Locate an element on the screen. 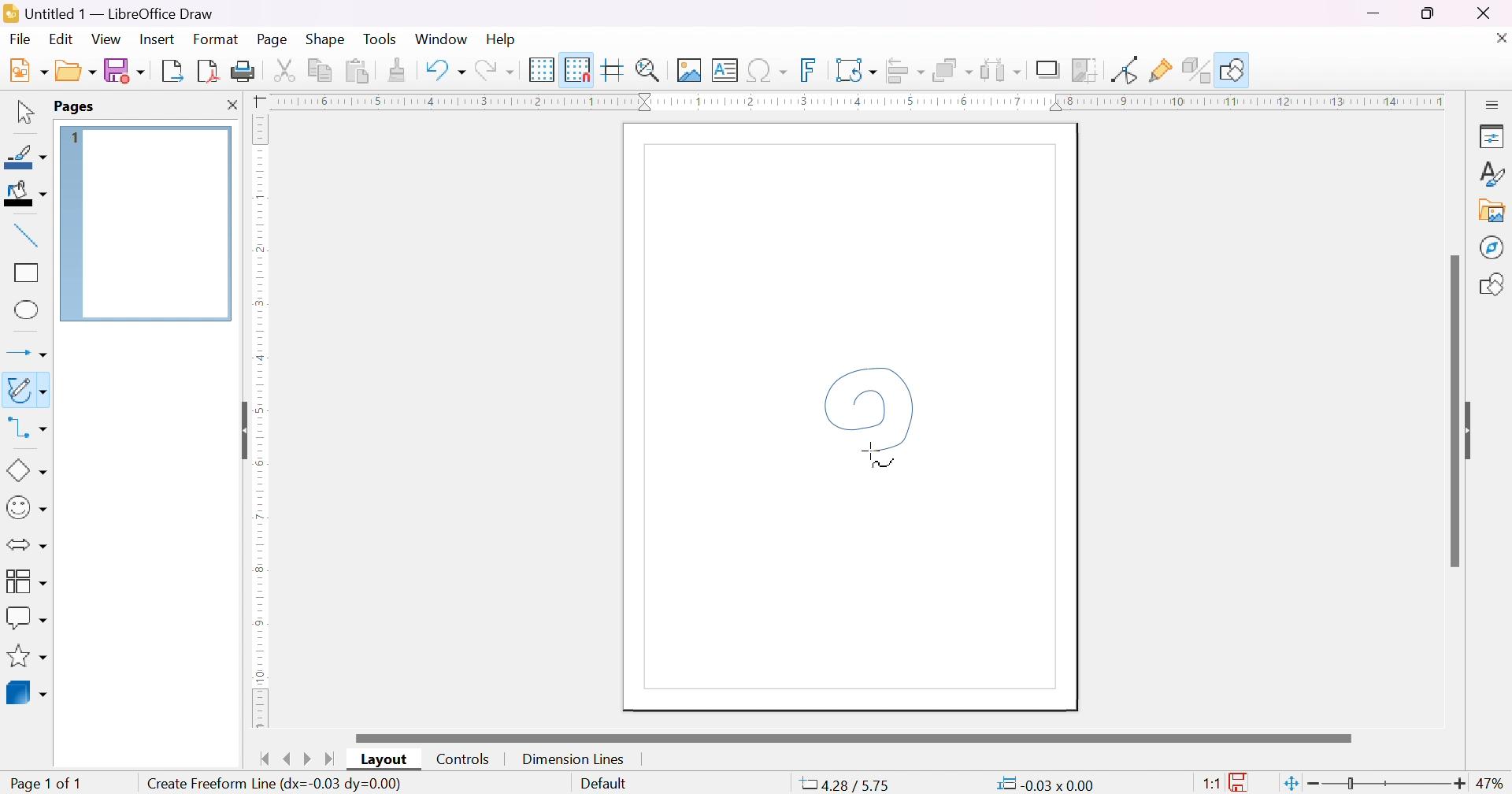 This screenshot has height=794, width=1512. gallery is located at coordinates (1492, 211).